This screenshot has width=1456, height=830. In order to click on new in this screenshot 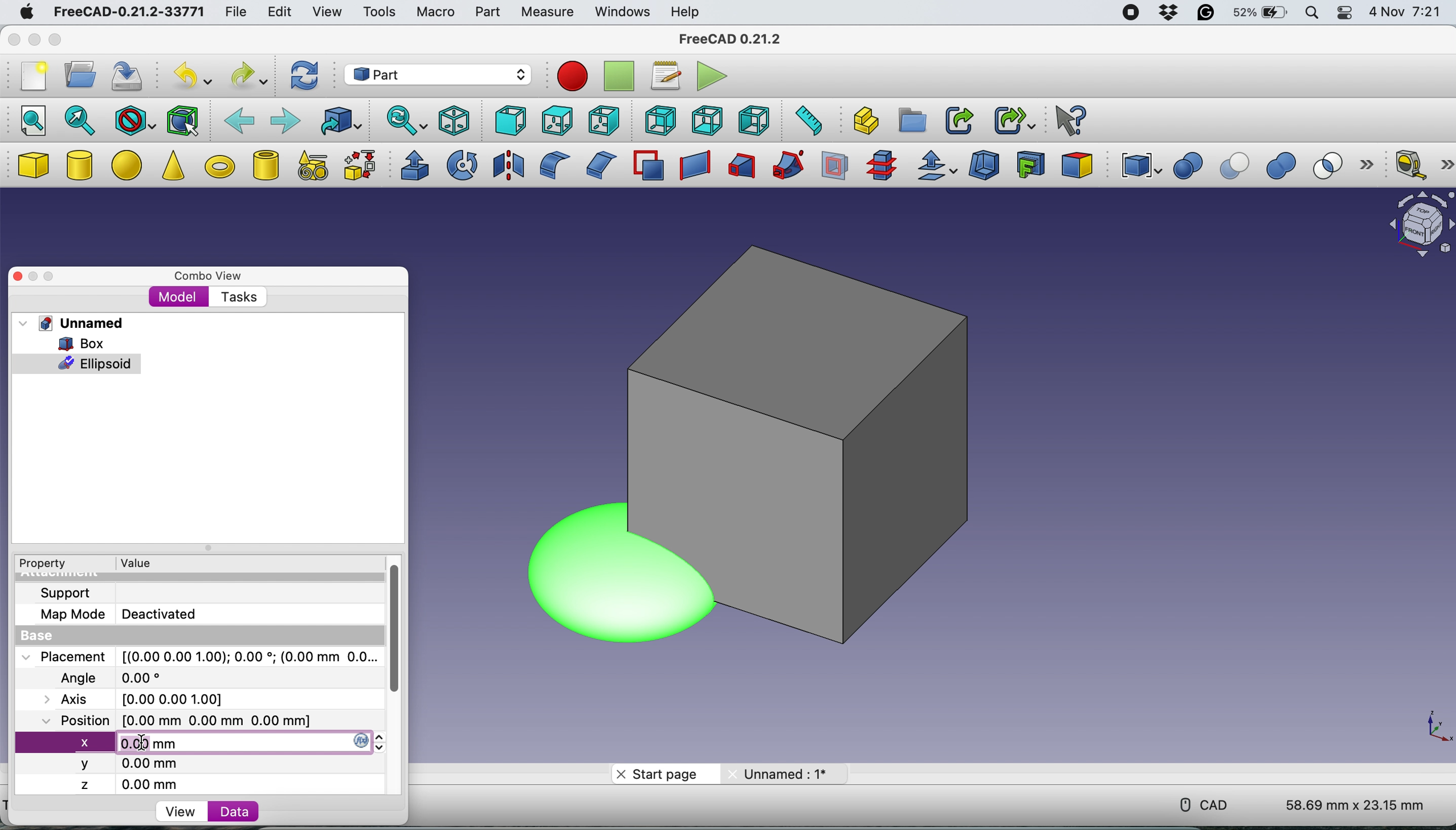, I will do `click(31, 79)`.